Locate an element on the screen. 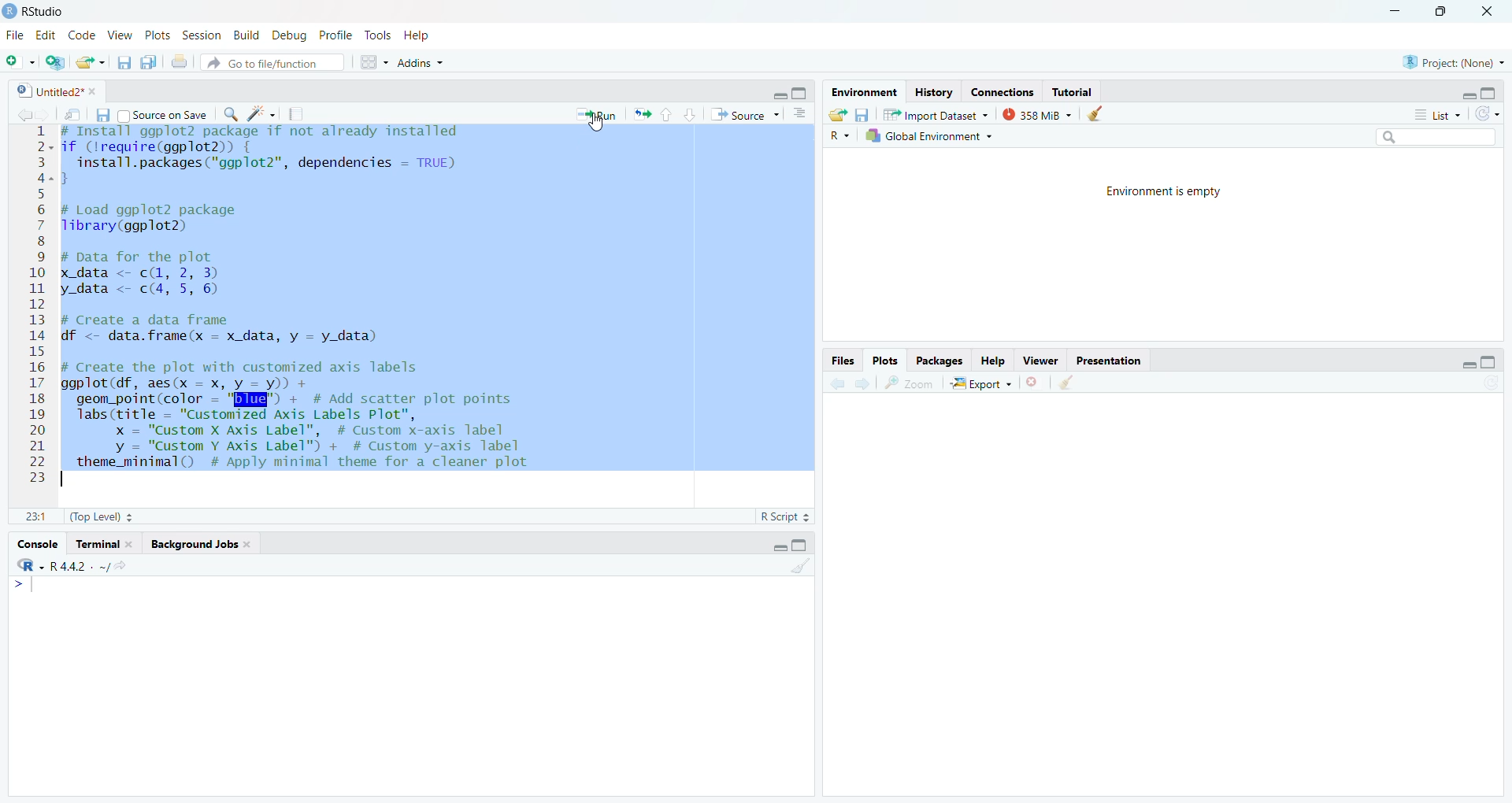 This screenshot has height=803, width=1512. Tutorial is located at coordinates (1076, 92).